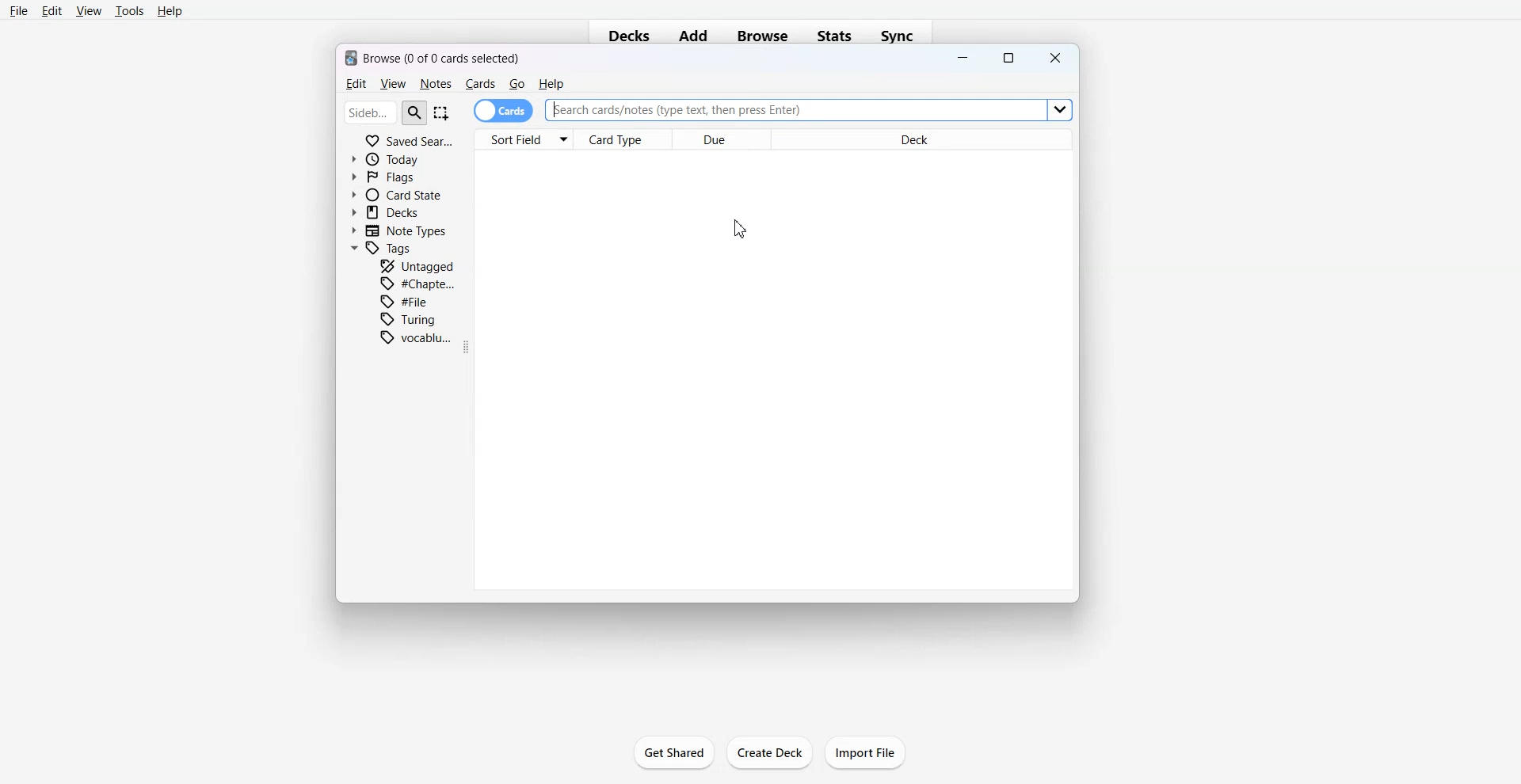 The image size is (1521, 784). Describe the element at coordinates (409, 139) in the screenshot. I see `Saved Search` at that location.